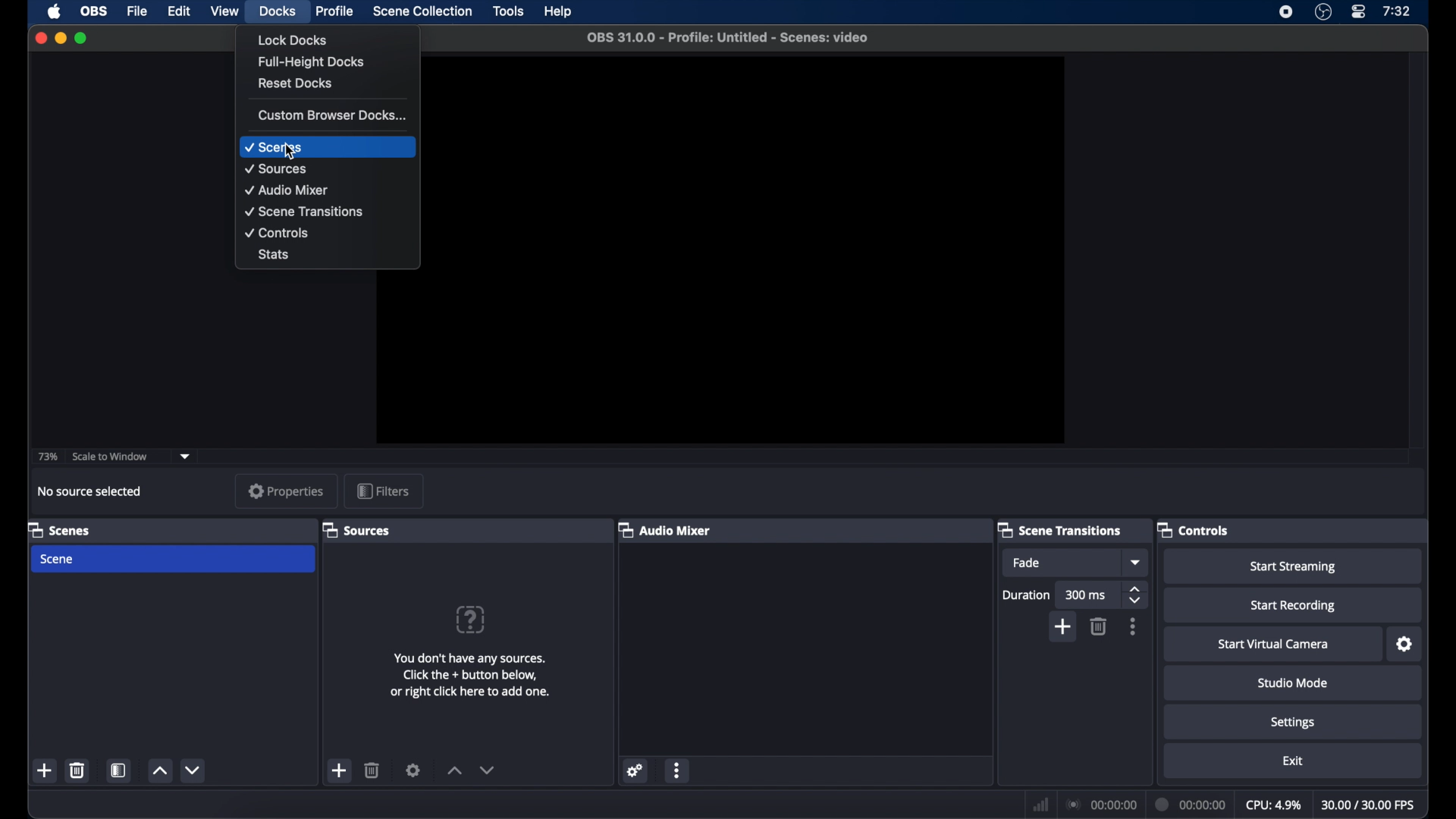 This screenshot has width=1456, height=819. Describe the element at coordinates (305, 212) in the screenshot. I see `scene transitions` at that location.